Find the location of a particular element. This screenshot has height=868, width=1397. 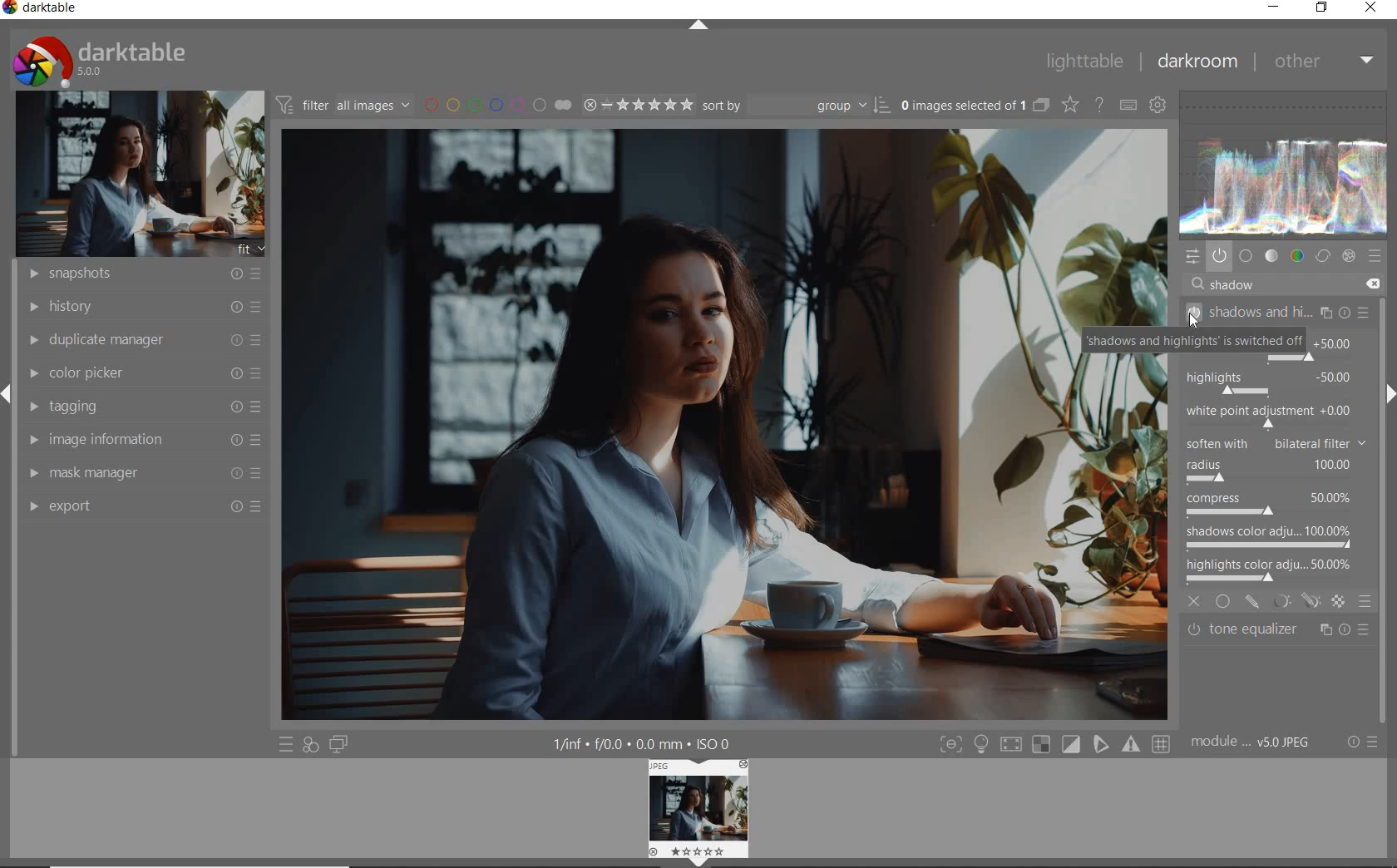

mask manager is located at coordinates (144, 475).